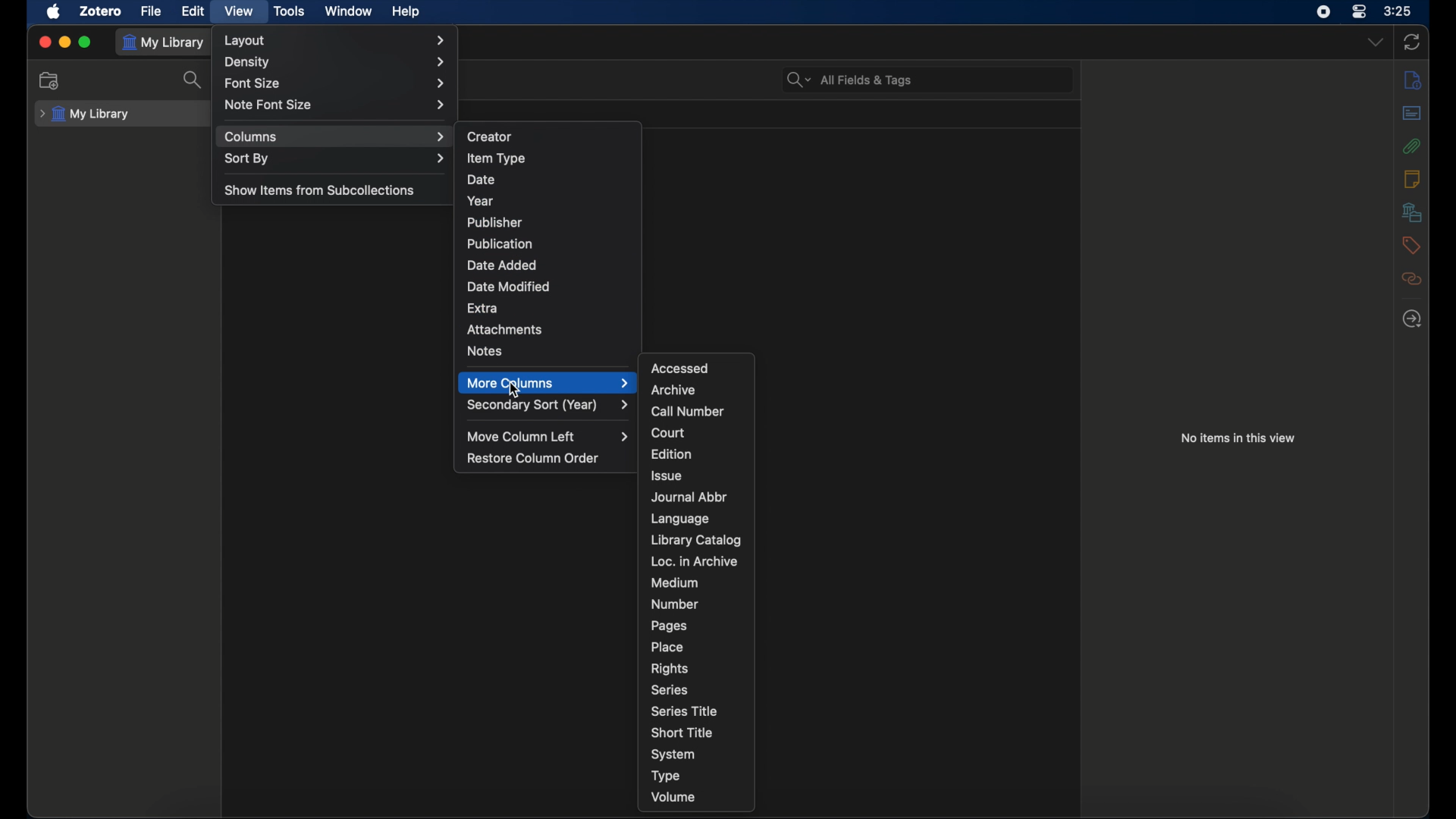  What do you see at coordinates (673, 755) in the screenshot?
I see `system` at bounding box center [673, 755].